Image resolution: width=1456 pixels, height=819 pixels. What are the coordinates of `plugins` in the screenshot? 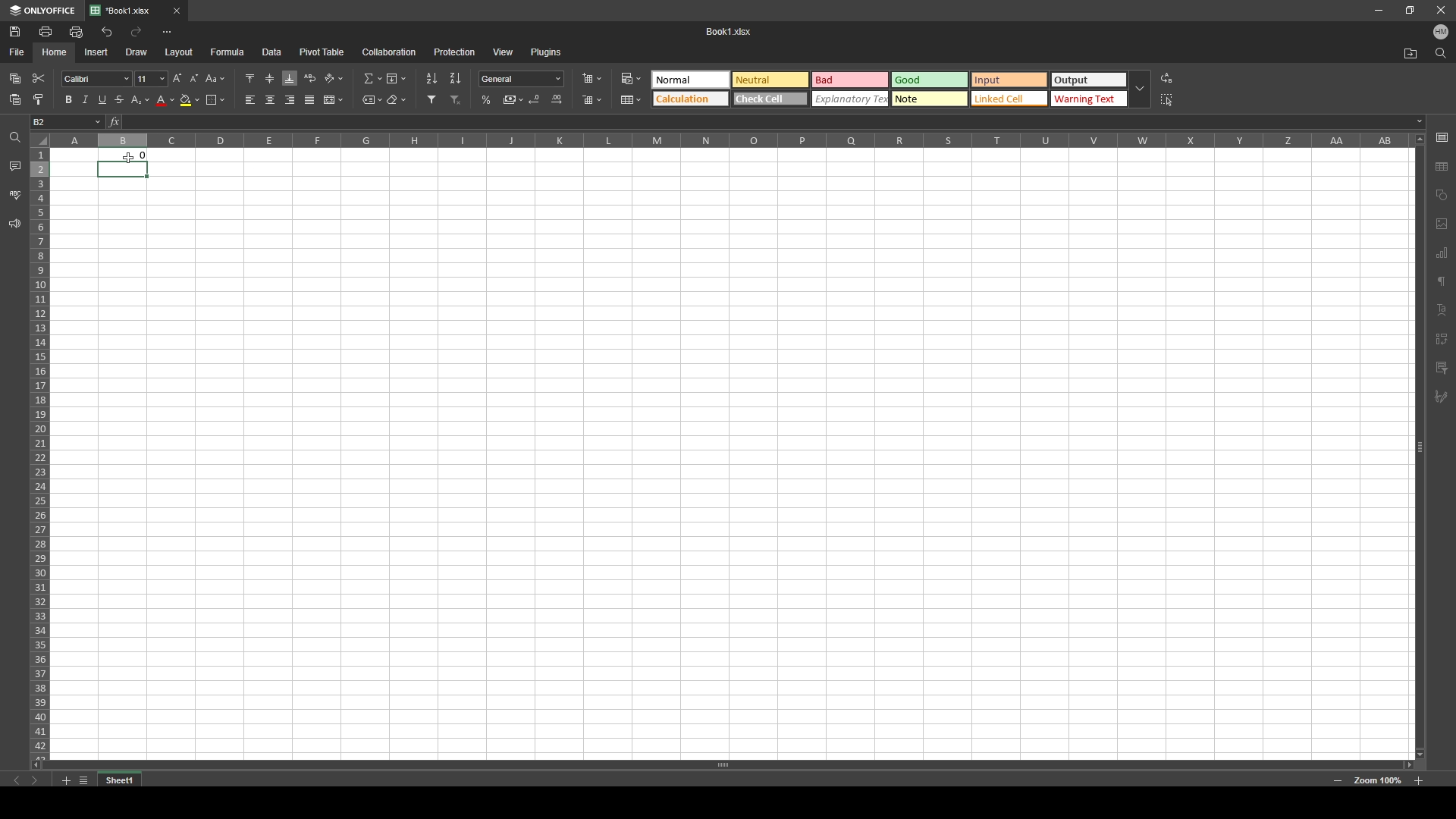 It's located at (545, 52).